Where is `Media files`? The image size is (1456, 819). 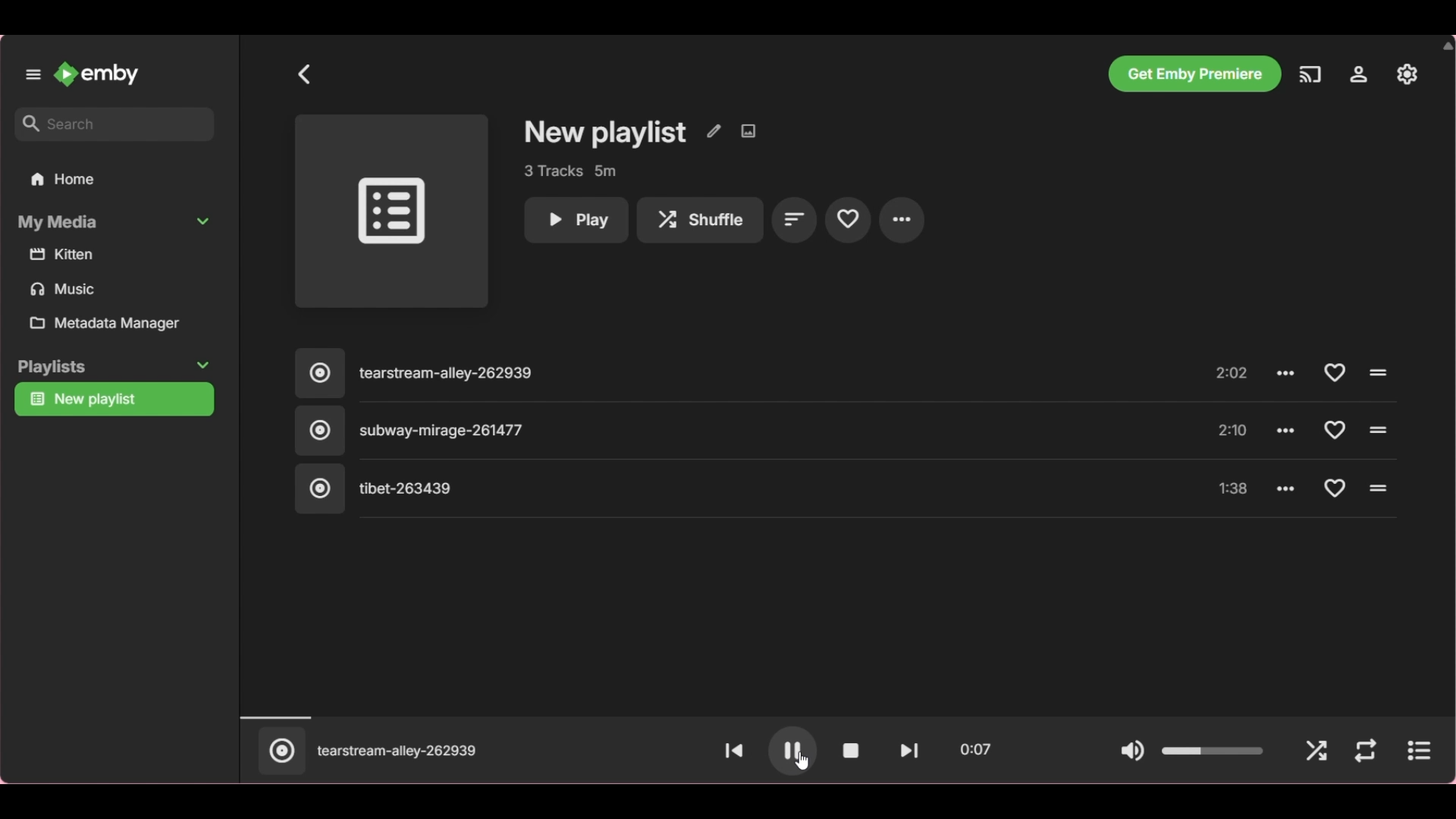
Media files is located at coordinates (118, 273).